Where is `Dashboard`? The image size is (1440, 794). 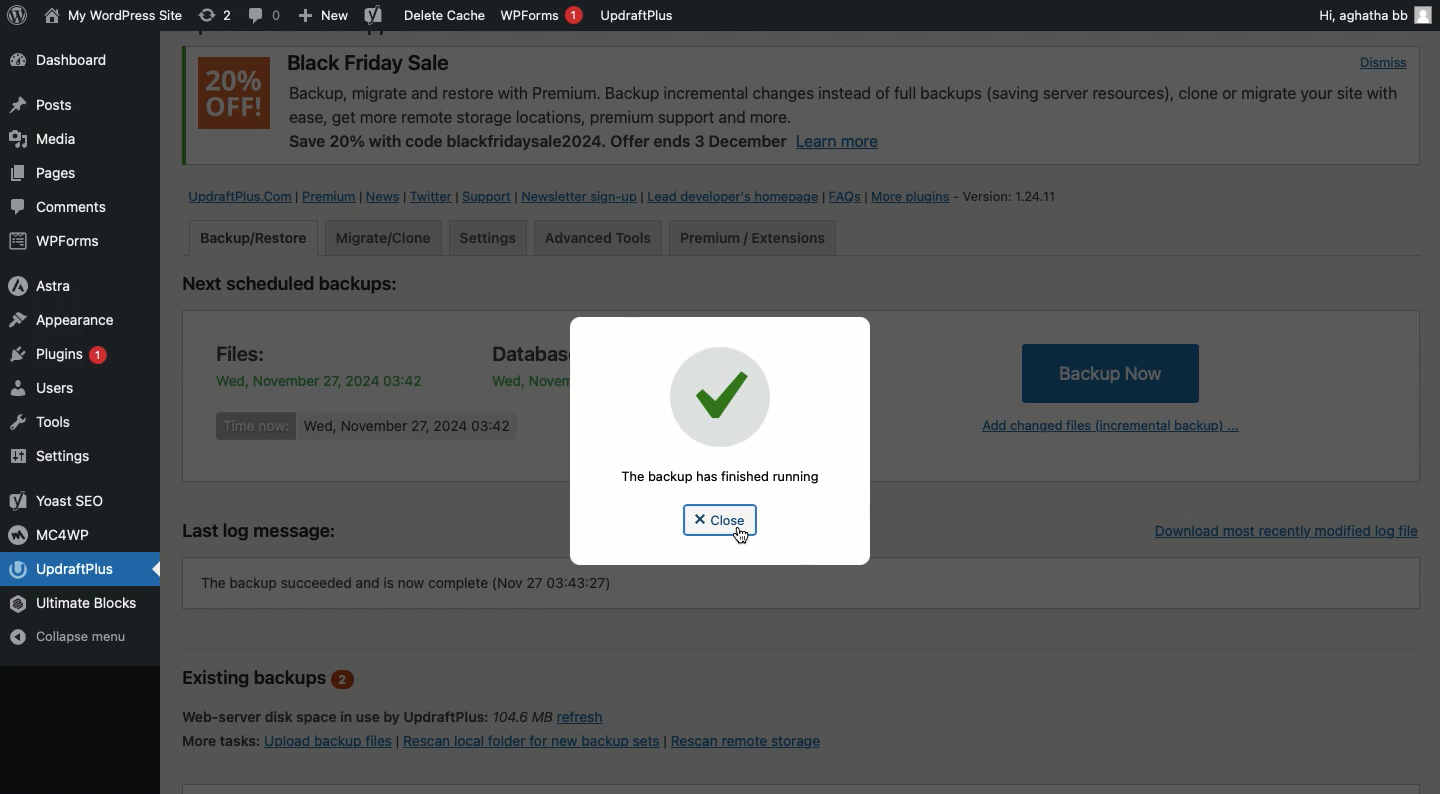
Dashboard is located at coordinates (72, 62).